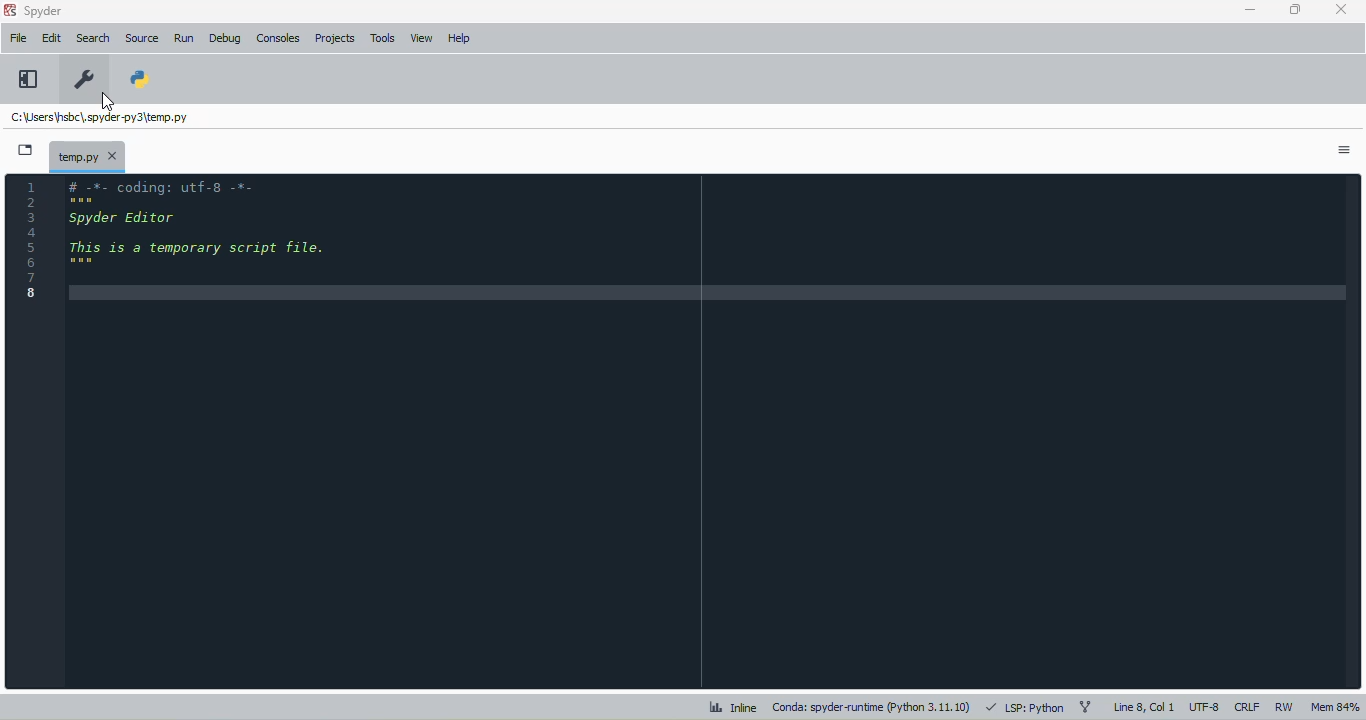  What do you see at coordinates (85, 80) in the screenshot?
I see `preferences` at bounding box center [85, 80].